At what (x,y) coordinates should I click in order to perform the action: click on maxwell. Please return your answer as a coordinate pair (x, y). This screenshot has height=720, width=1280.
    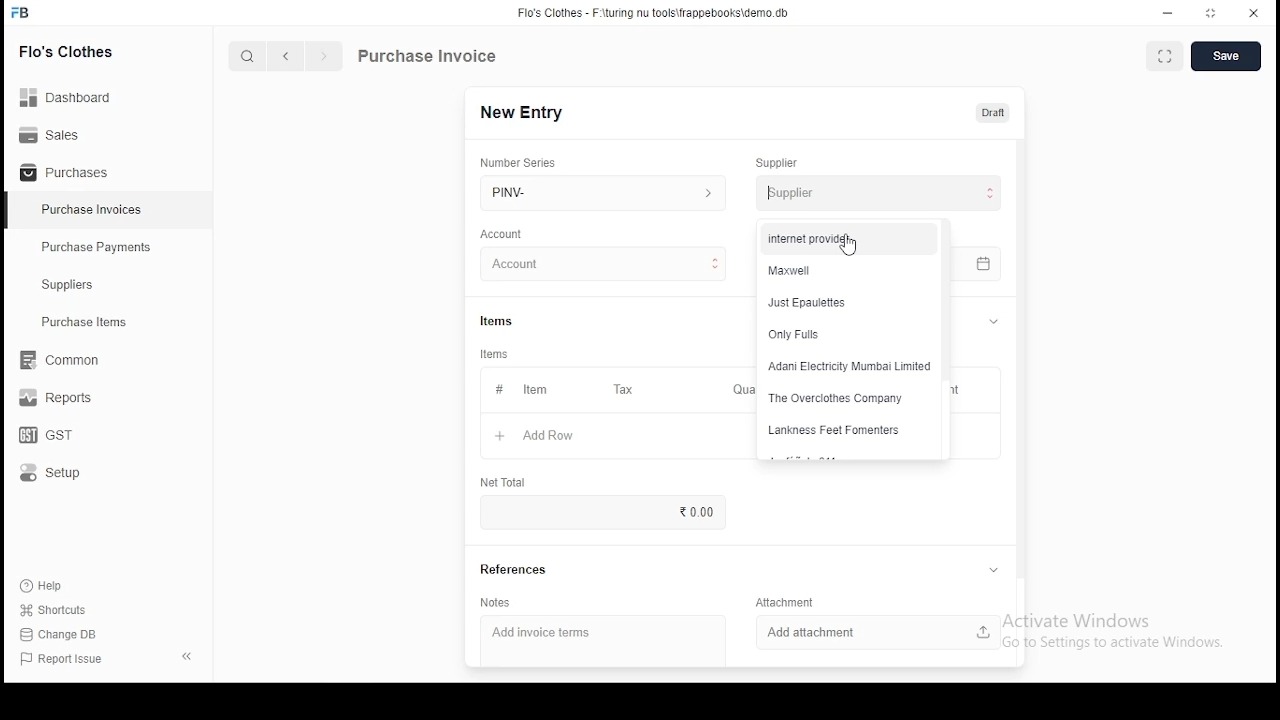
    Looking at the image, I should click on (843, 271).